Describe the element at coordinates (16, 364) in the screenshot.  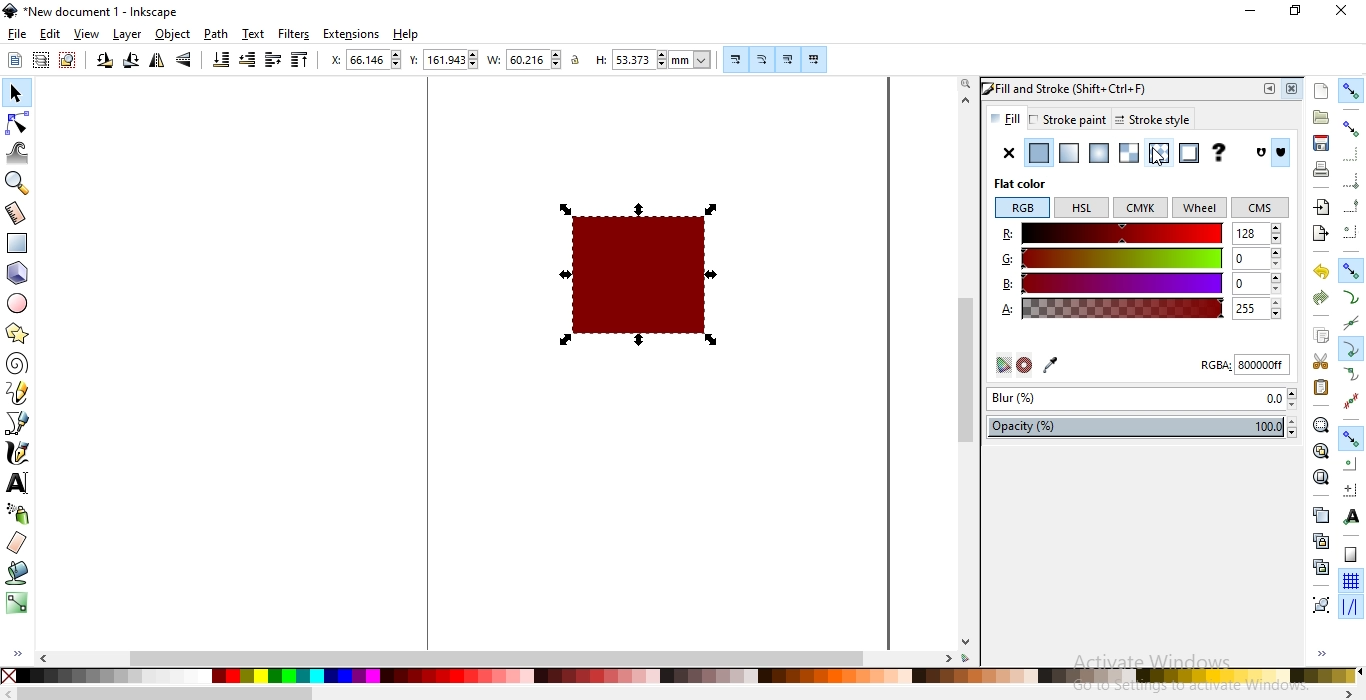
I see `create spiral` at that location.